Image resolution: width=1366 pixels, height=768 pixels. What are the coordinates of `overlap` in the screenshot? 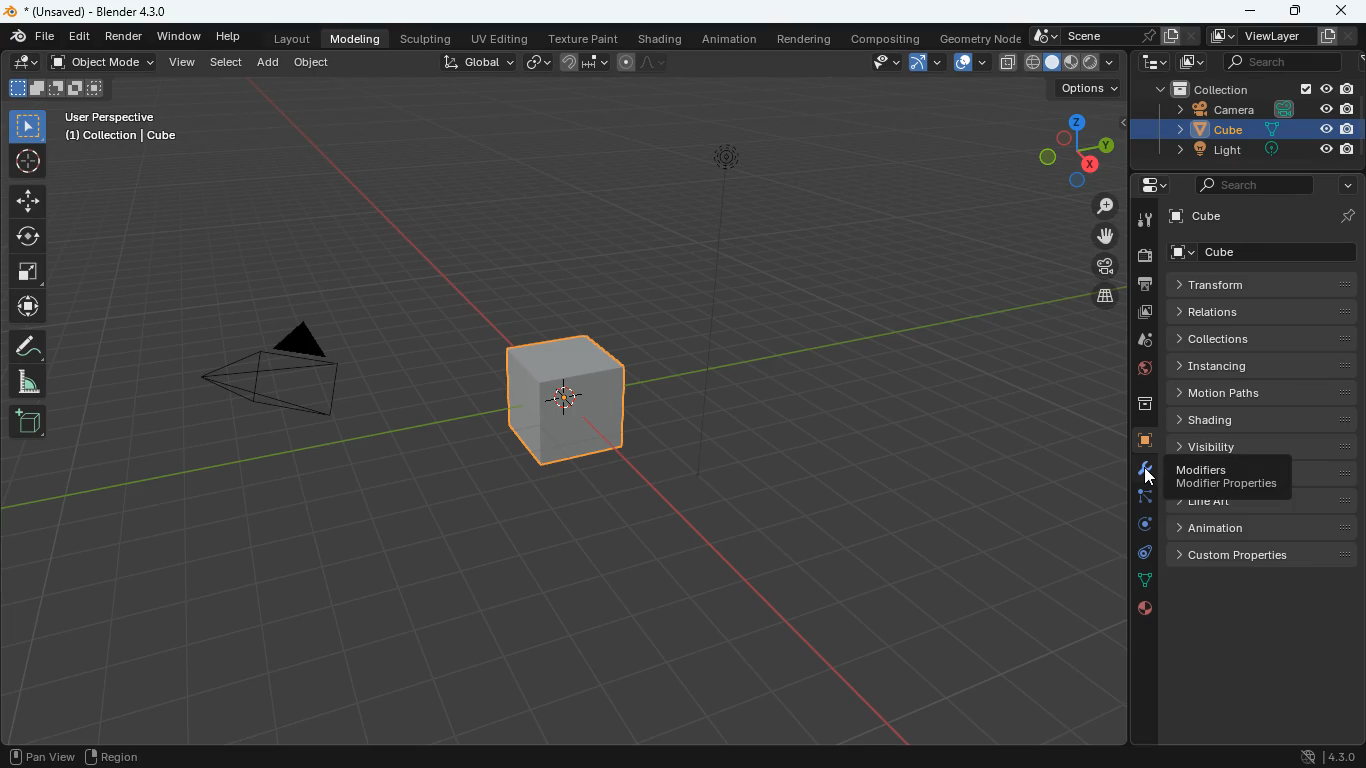 It's located at (966, 63).